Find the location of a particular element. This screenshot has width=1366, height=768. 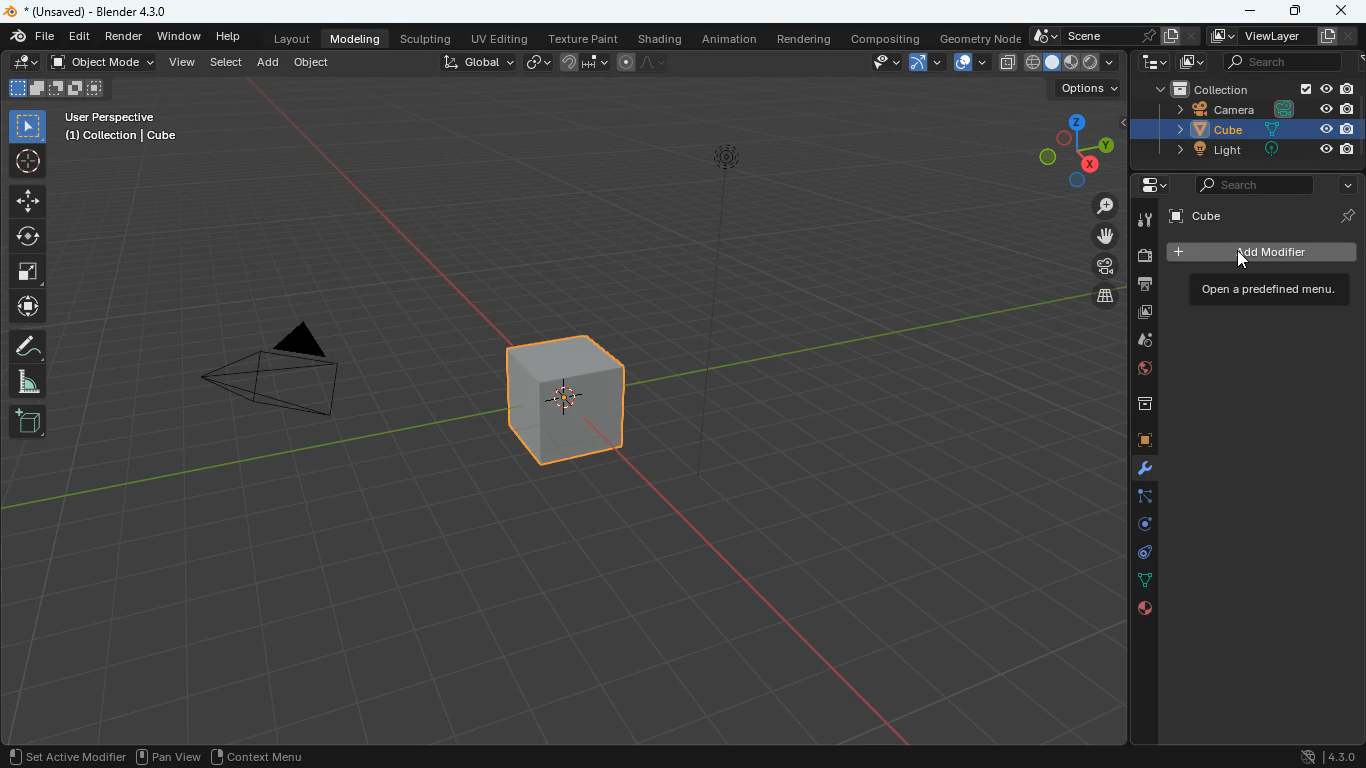

add is located at coordinates (27, 422).